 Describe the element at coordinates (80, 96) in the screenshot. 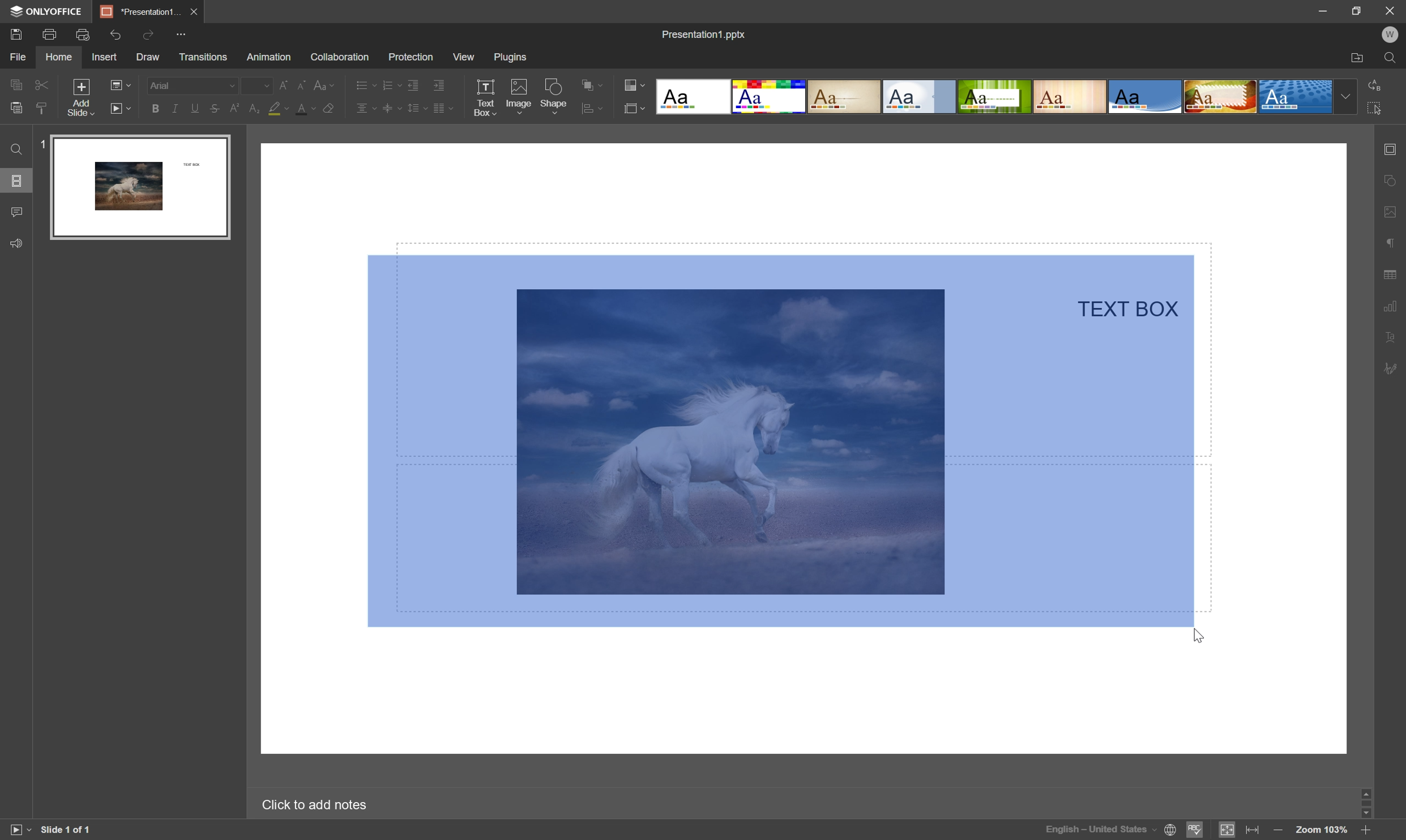

I see `add slide` at that location.